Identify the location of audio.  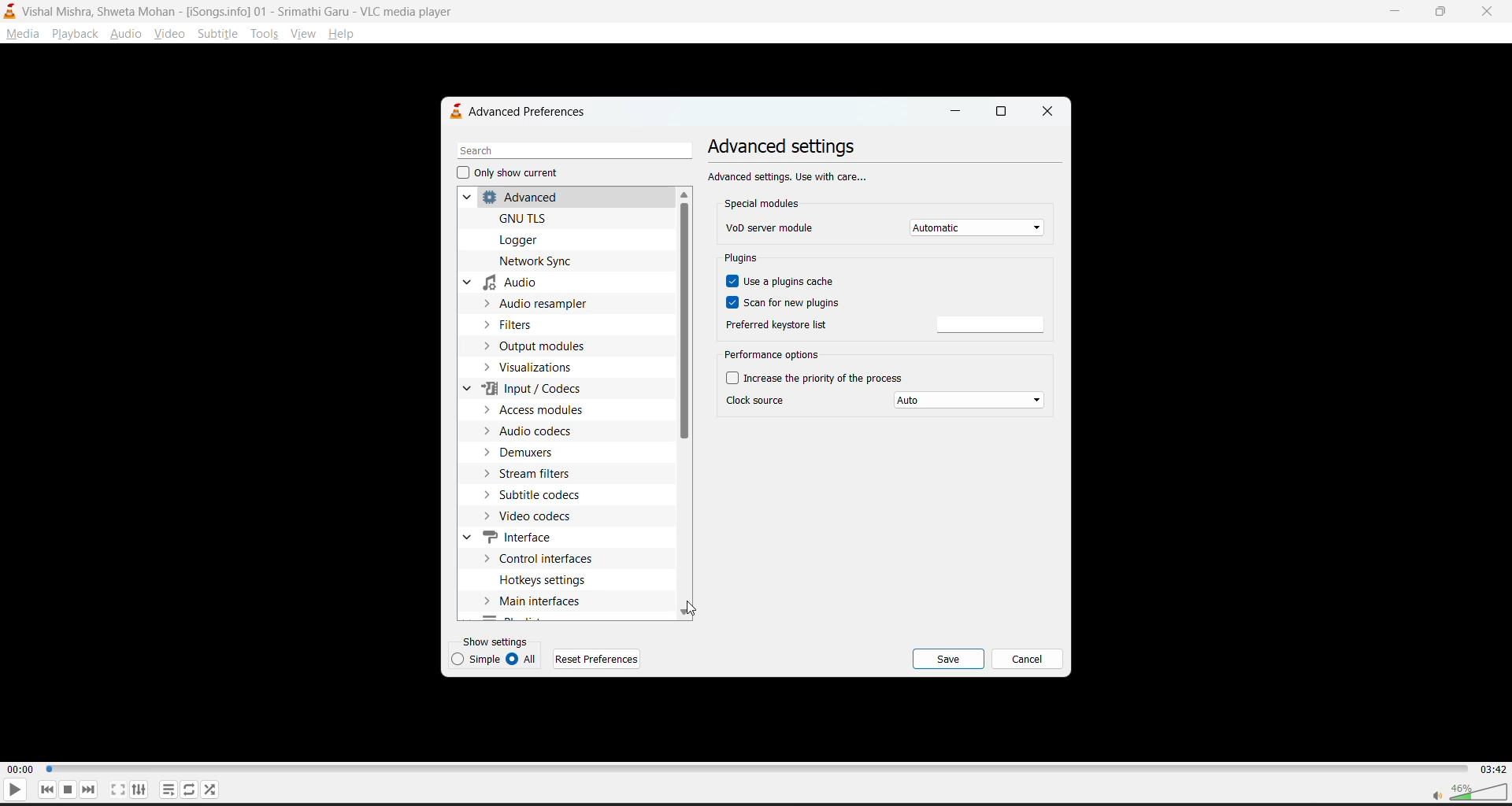
(507, 282).